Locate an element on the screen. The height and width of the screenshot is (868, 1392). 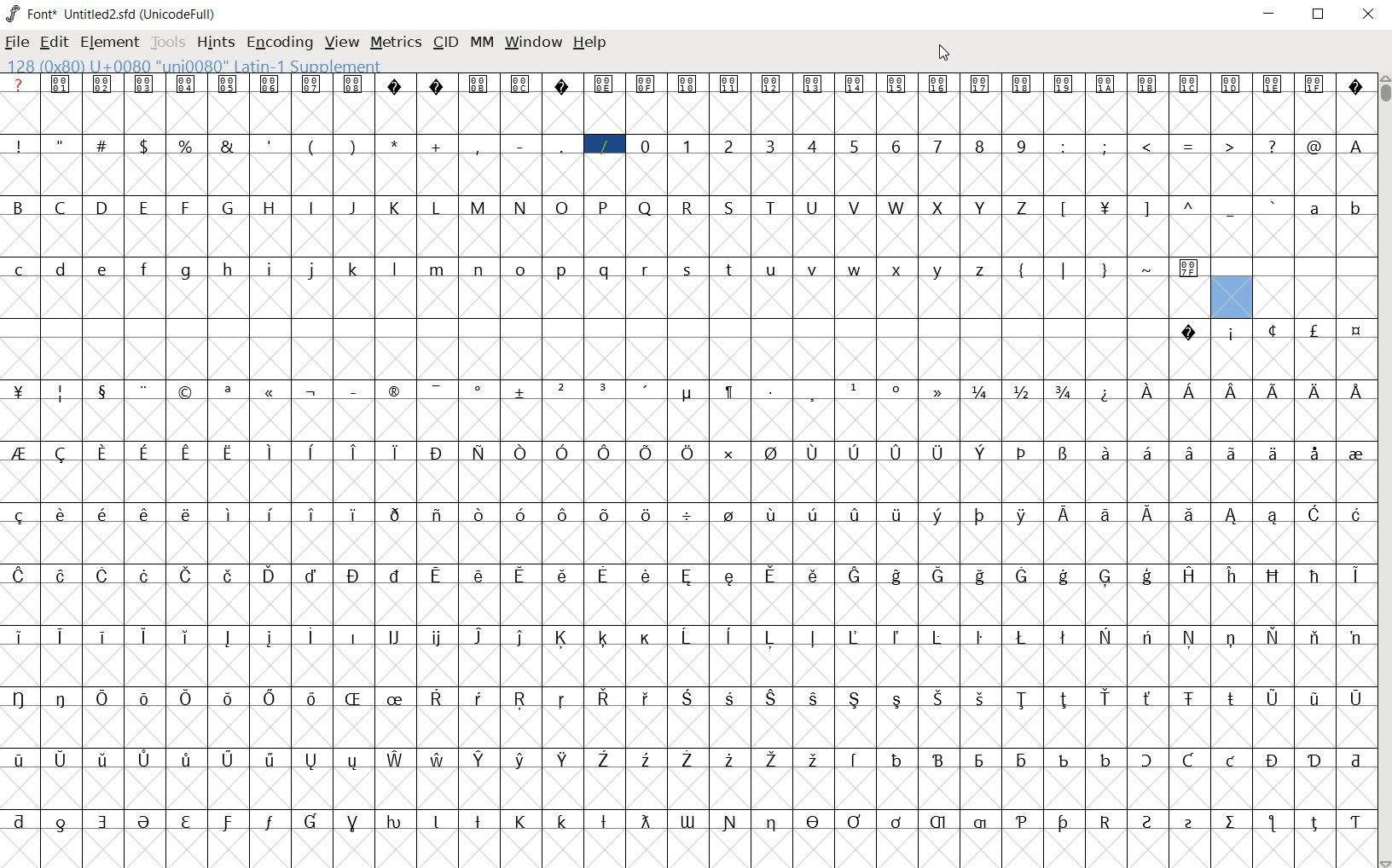
glyph is located at coordinates (393, 822).